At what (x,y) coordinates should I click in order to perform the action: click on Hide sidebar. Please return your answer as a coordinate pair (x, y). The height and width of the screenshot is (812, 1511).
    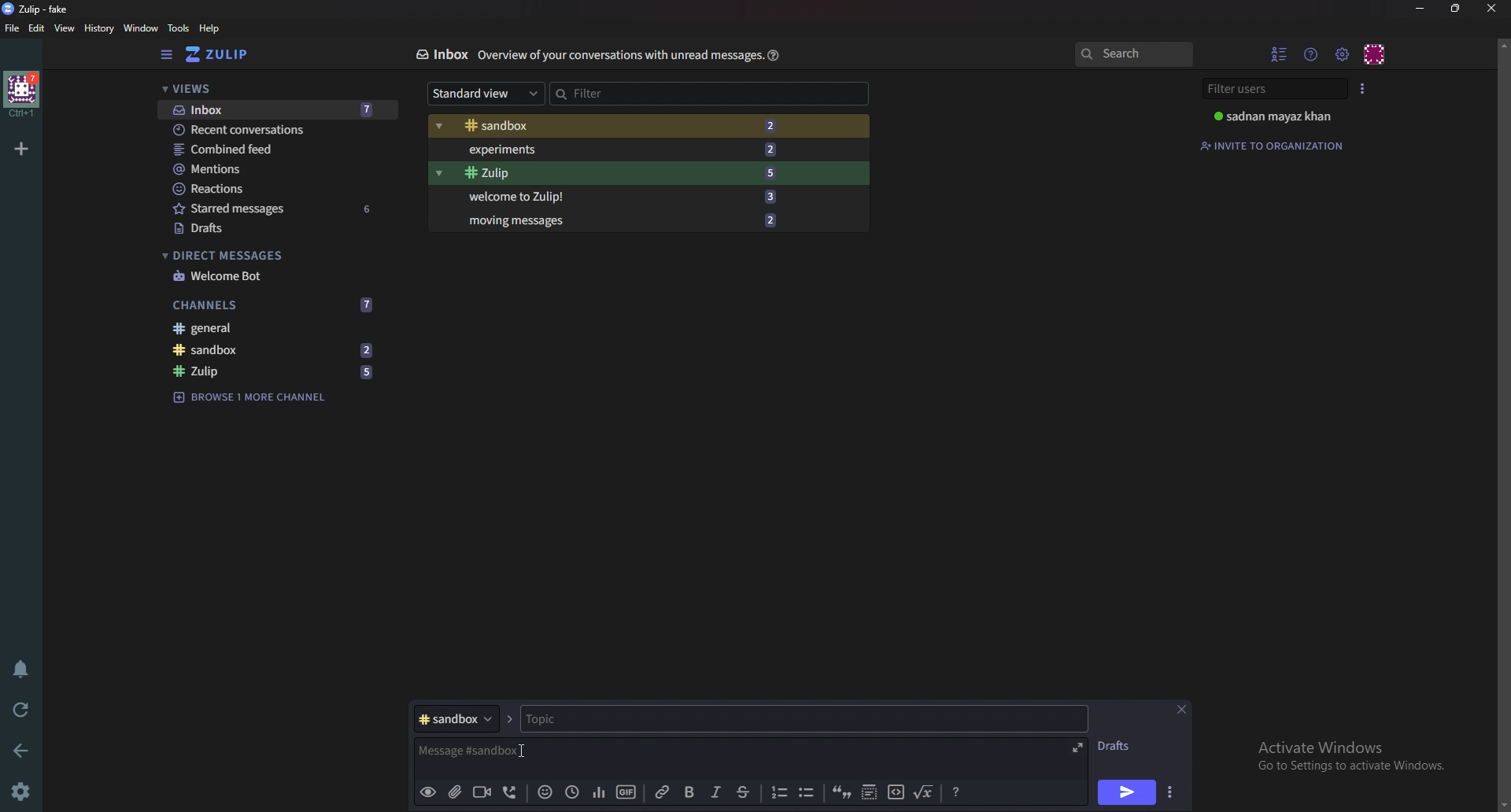
    Looking at the image, I should click on (166, 55).